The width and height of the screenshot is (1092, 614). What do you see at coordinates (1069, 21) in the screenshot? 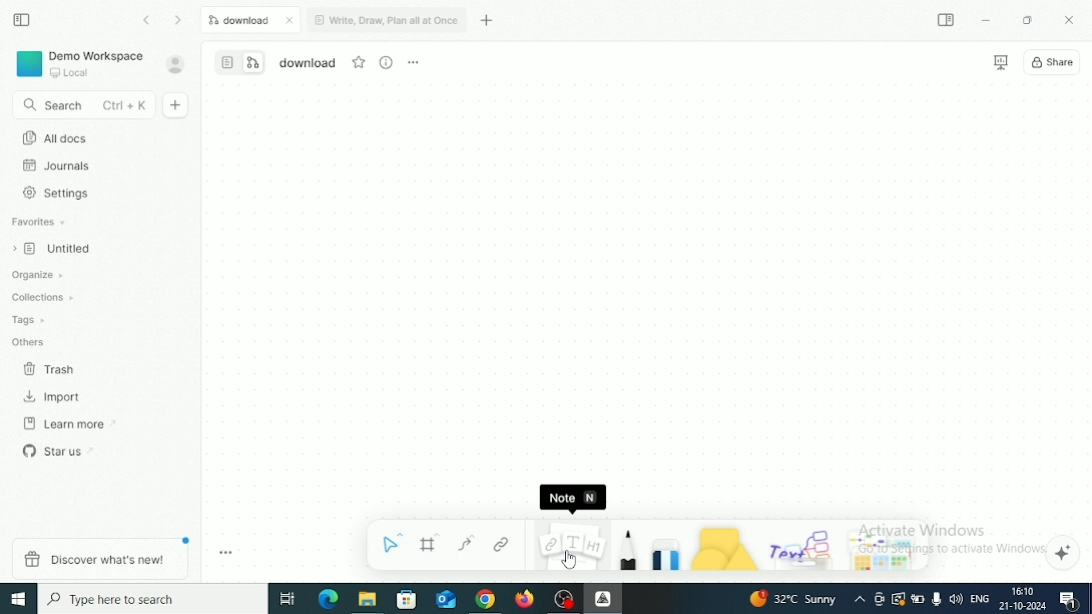
I see `Close` at bounding box center [1069, 21].